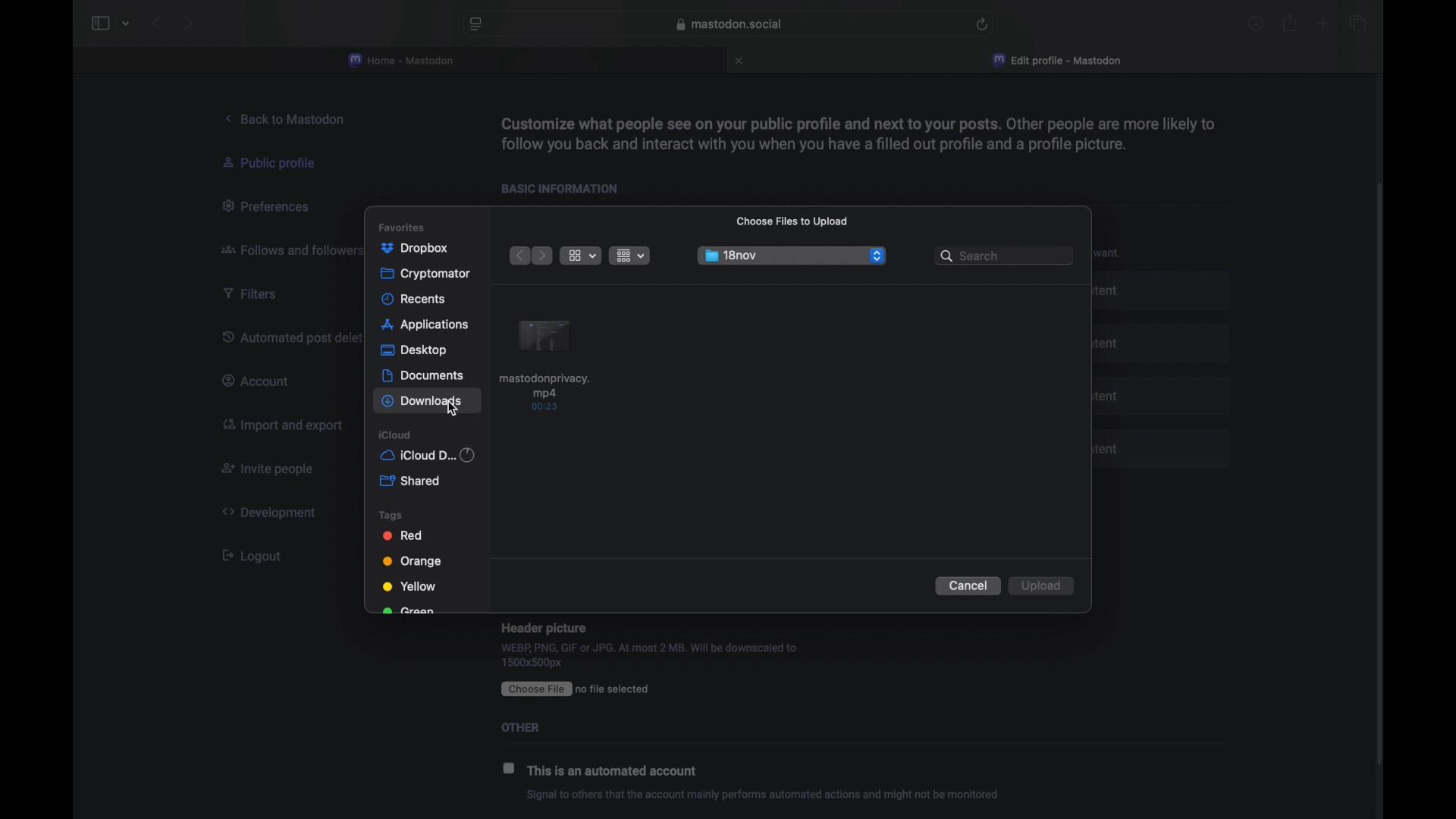 Image resolution: width=1456 pixels, height=819 pixels. I want to click on close, so click(741, 61).